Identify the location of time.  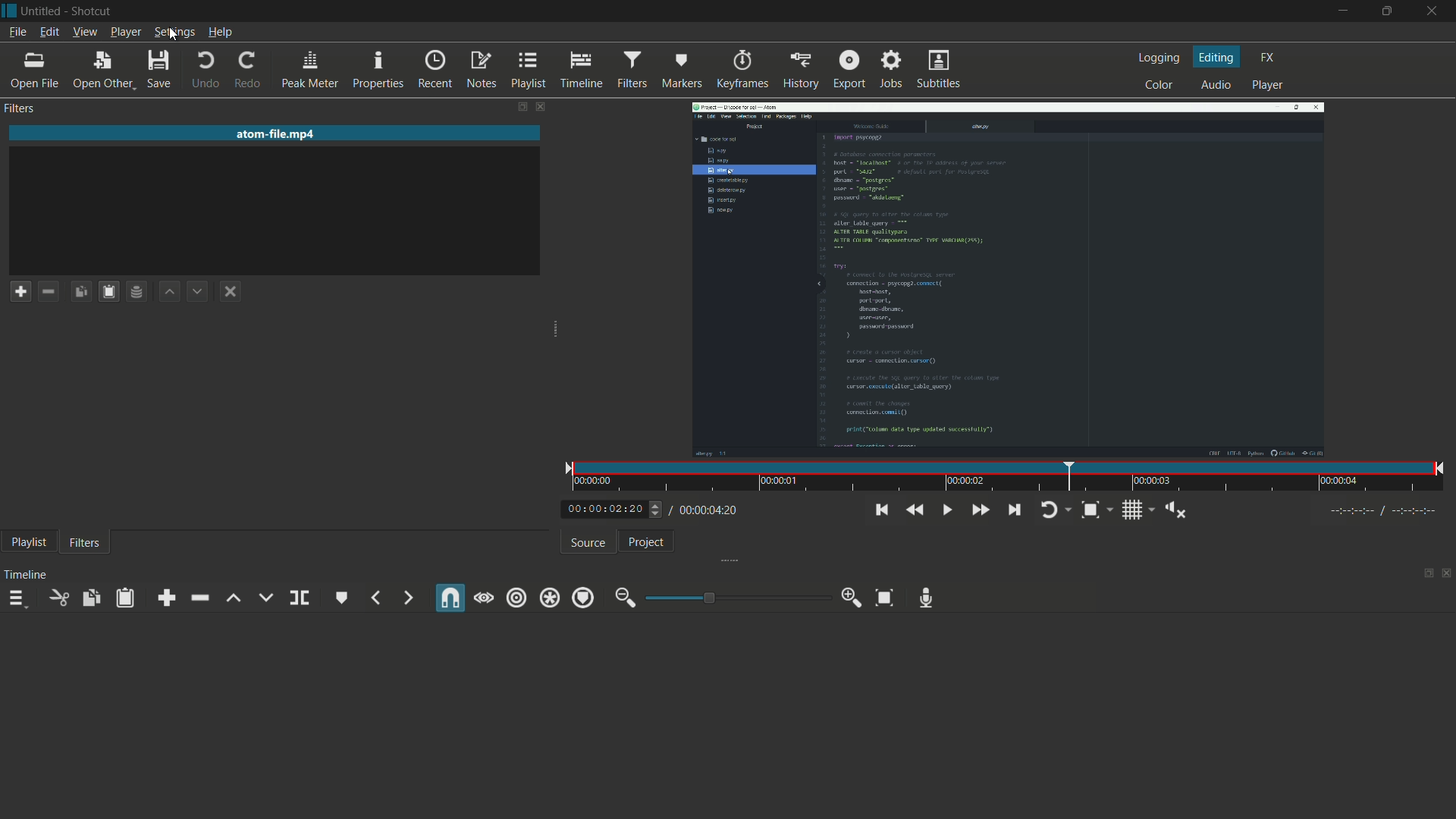
(1012, 476).